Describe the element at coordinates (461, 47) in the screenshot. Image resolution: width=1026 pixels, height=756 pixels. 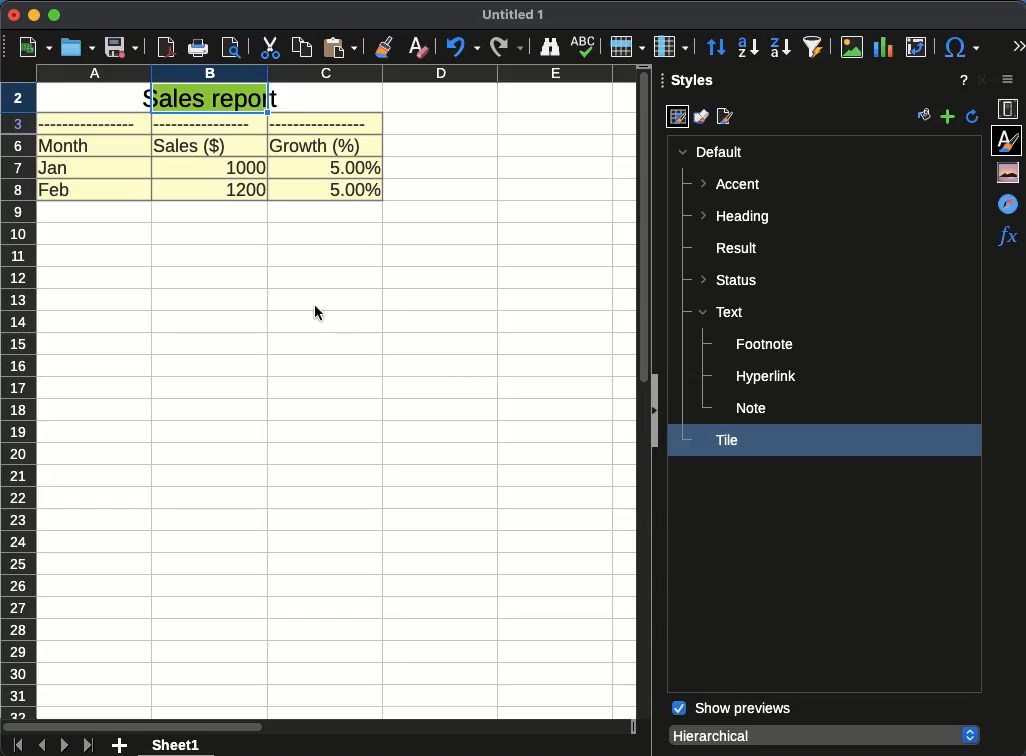
I see `undo` at that location.